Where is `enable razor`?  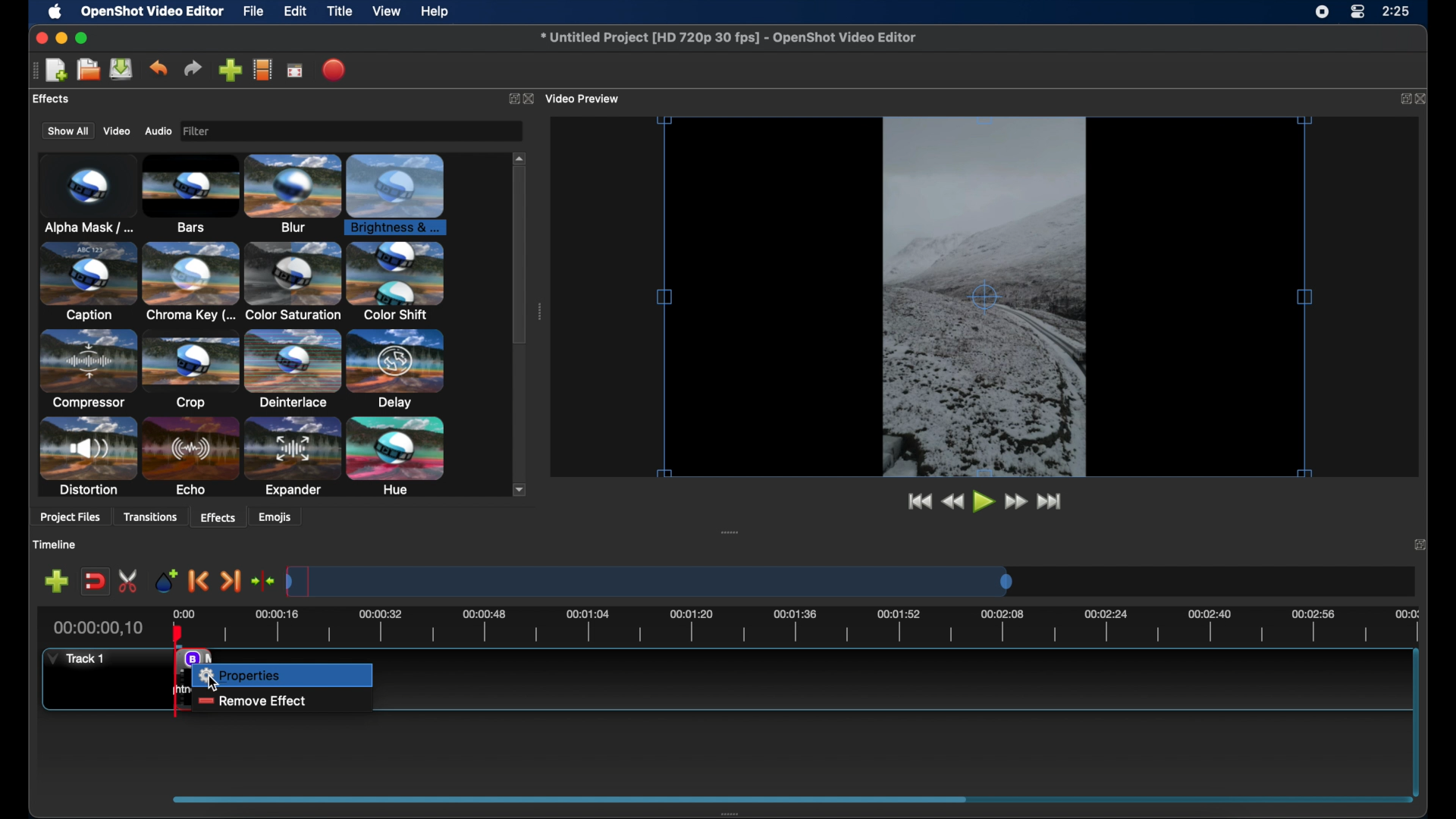
enable razor is located at coordinates (128, 581).